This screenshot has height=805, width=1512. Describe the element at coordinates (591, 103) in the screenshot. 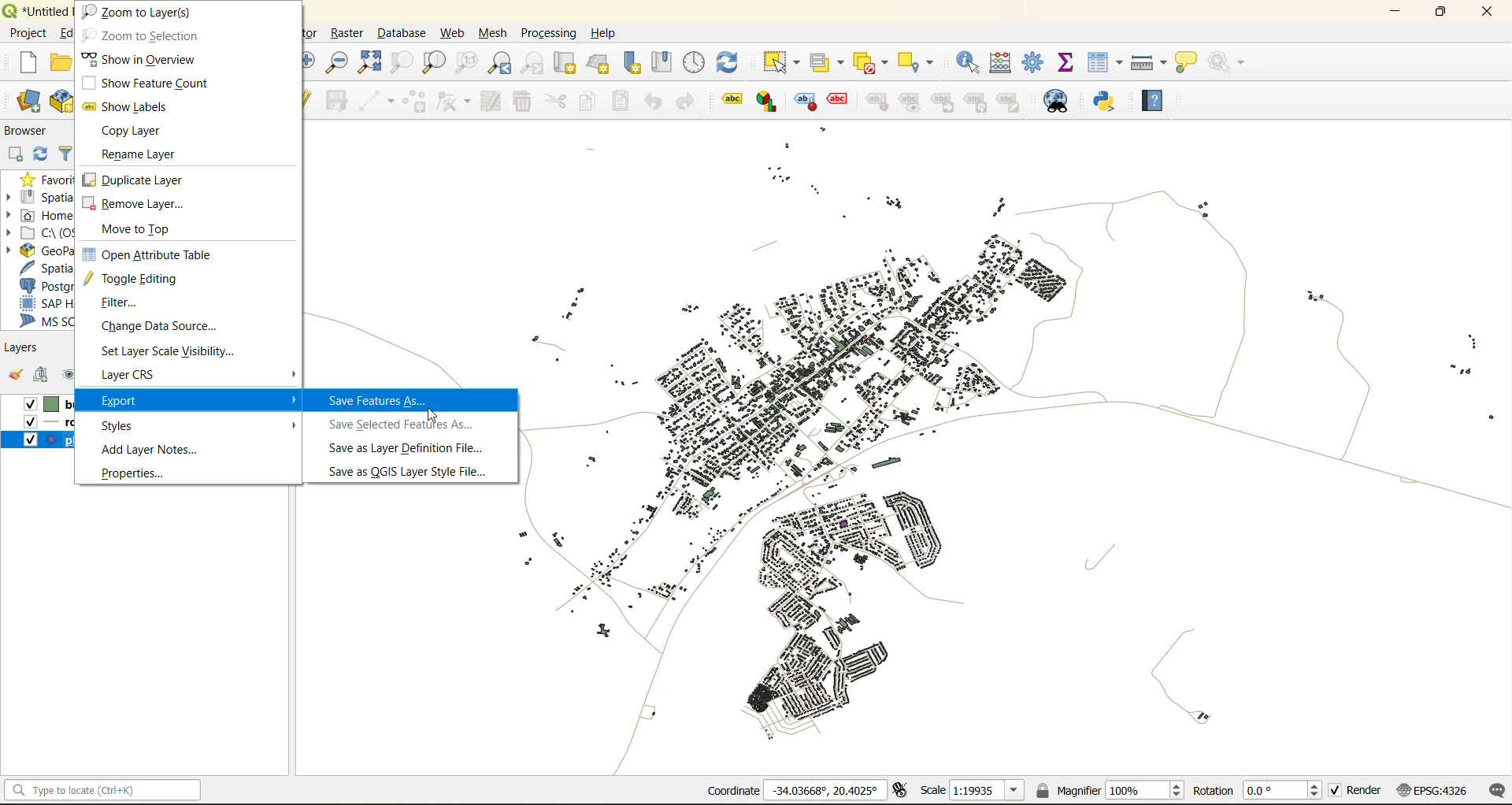

I see `copy` at that location.